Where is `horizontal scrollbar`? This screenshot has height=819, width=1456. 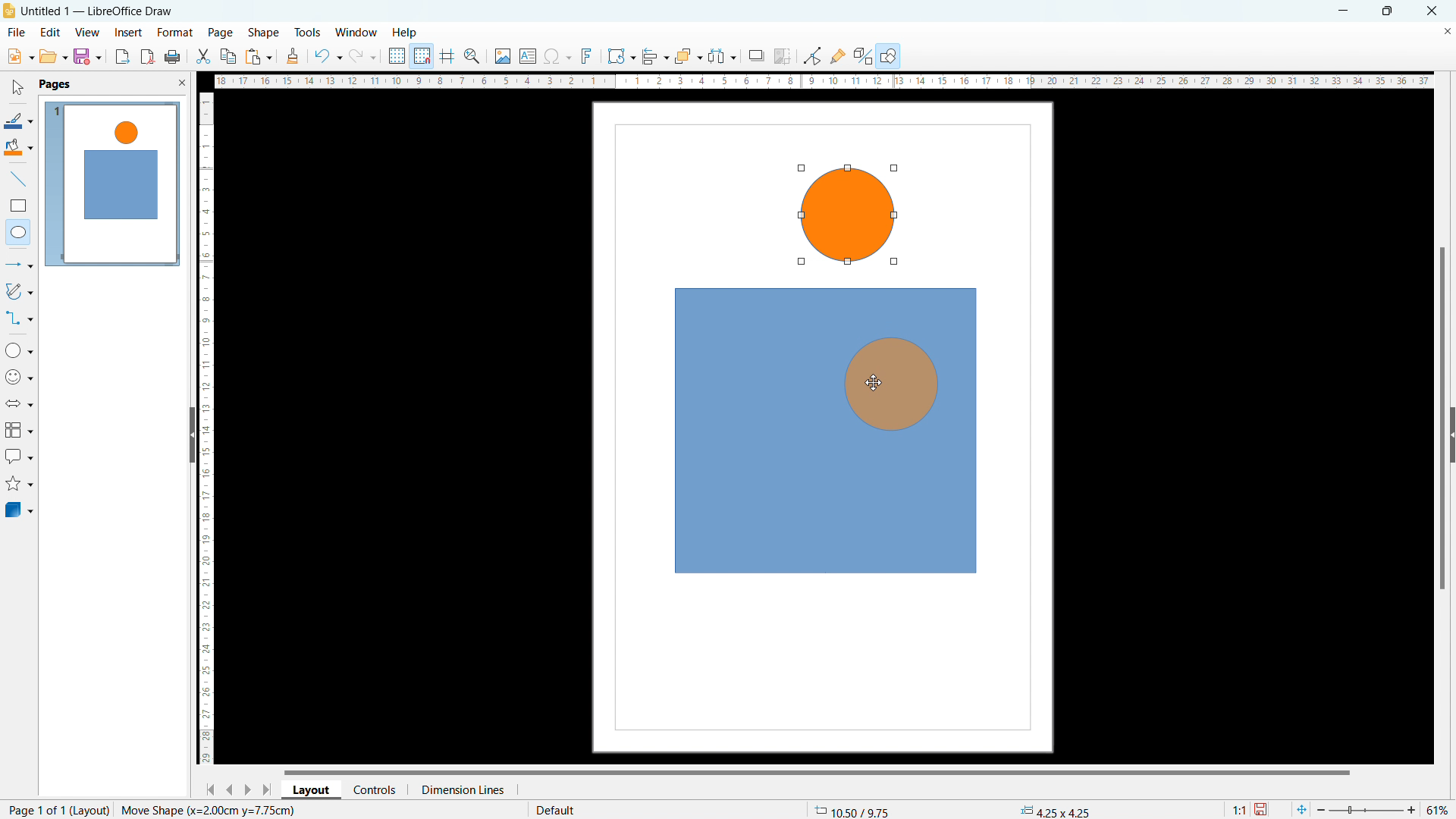 horizontal scrollbar is located at coordinates (817, 771).